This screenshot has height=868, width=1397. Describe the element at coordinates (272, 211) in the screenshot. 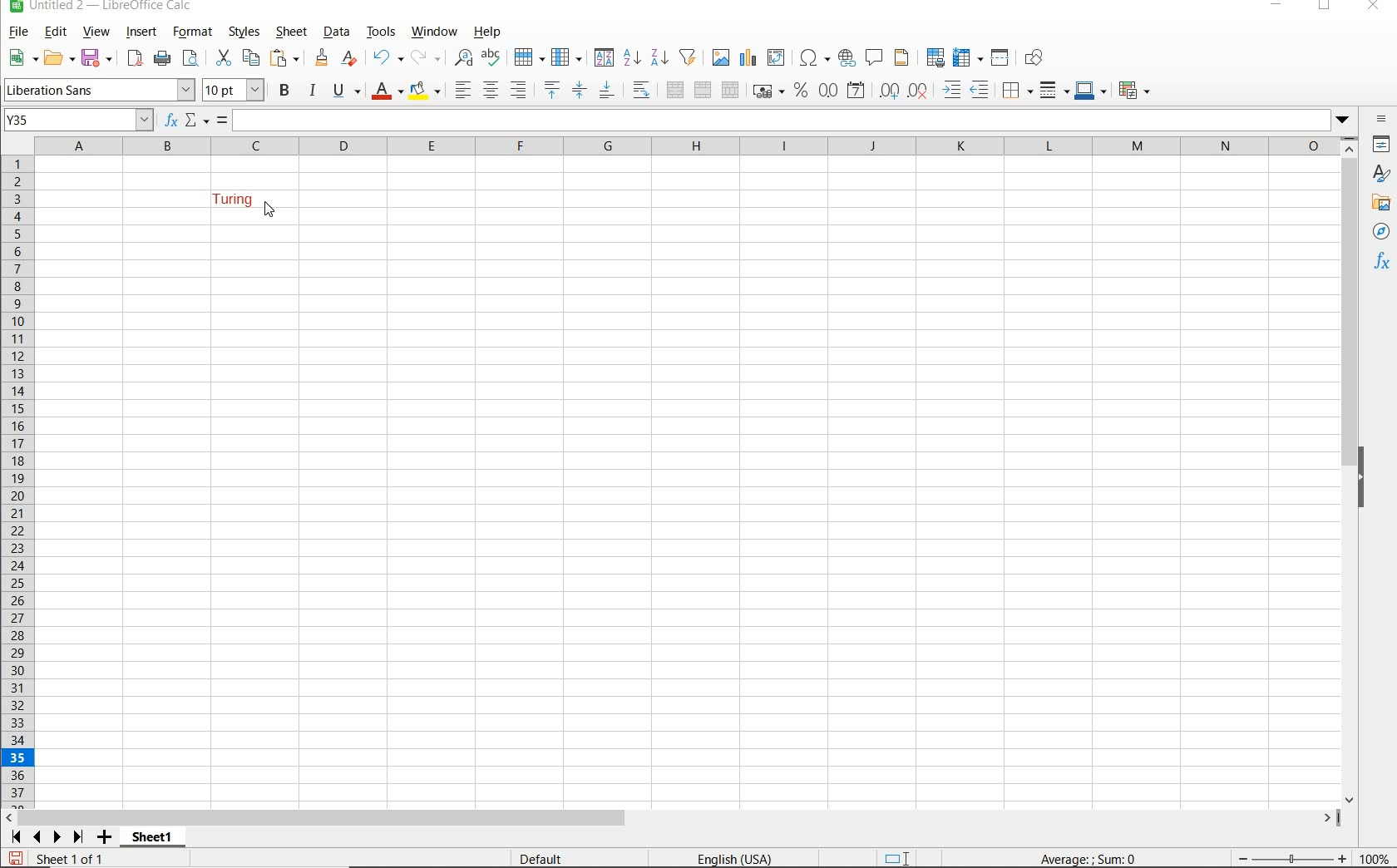

I see `cursor` at that location.